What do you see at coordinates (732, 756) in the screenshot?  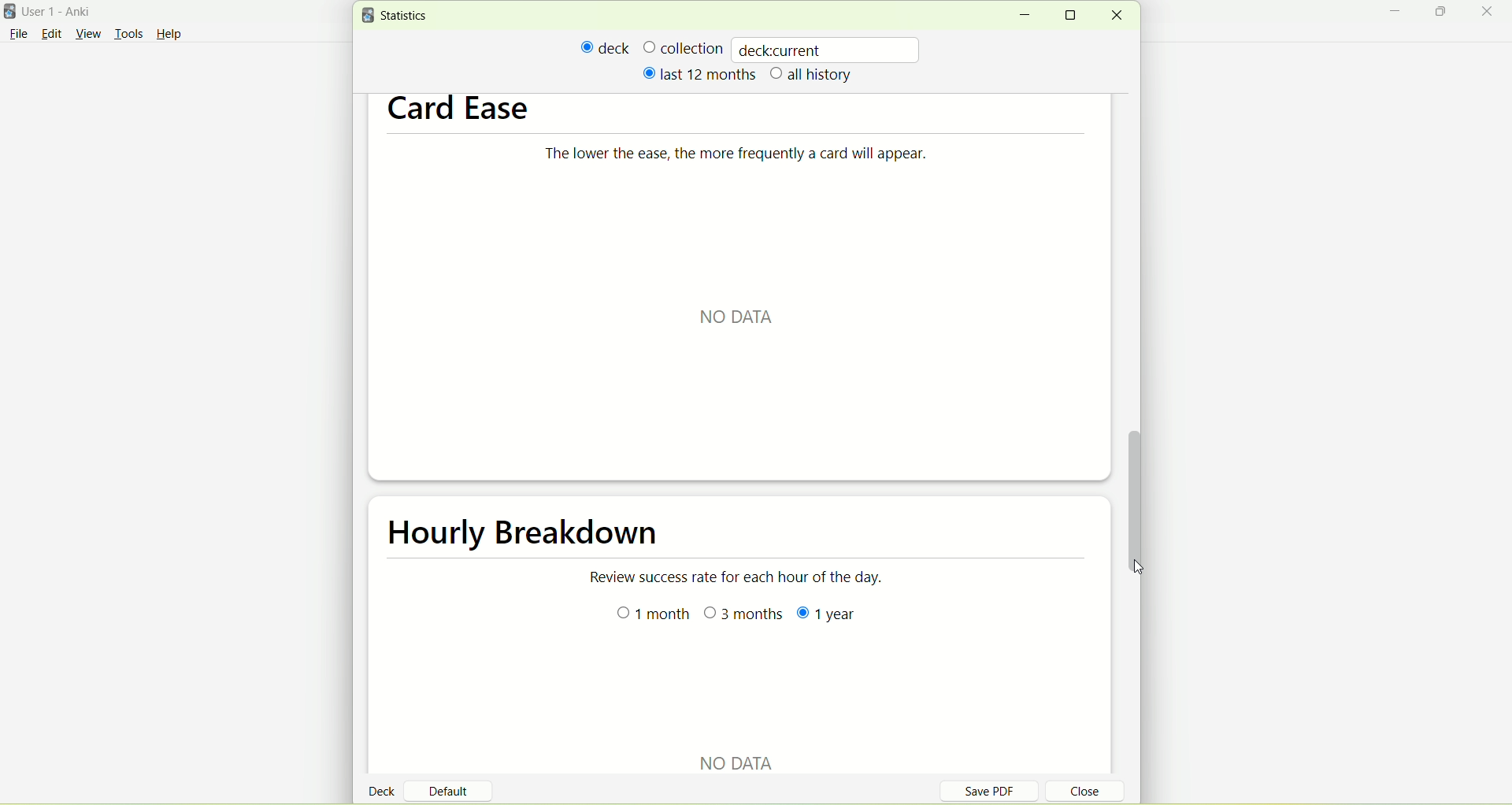 I see `NO DATA` at bounding box center [732, 756].